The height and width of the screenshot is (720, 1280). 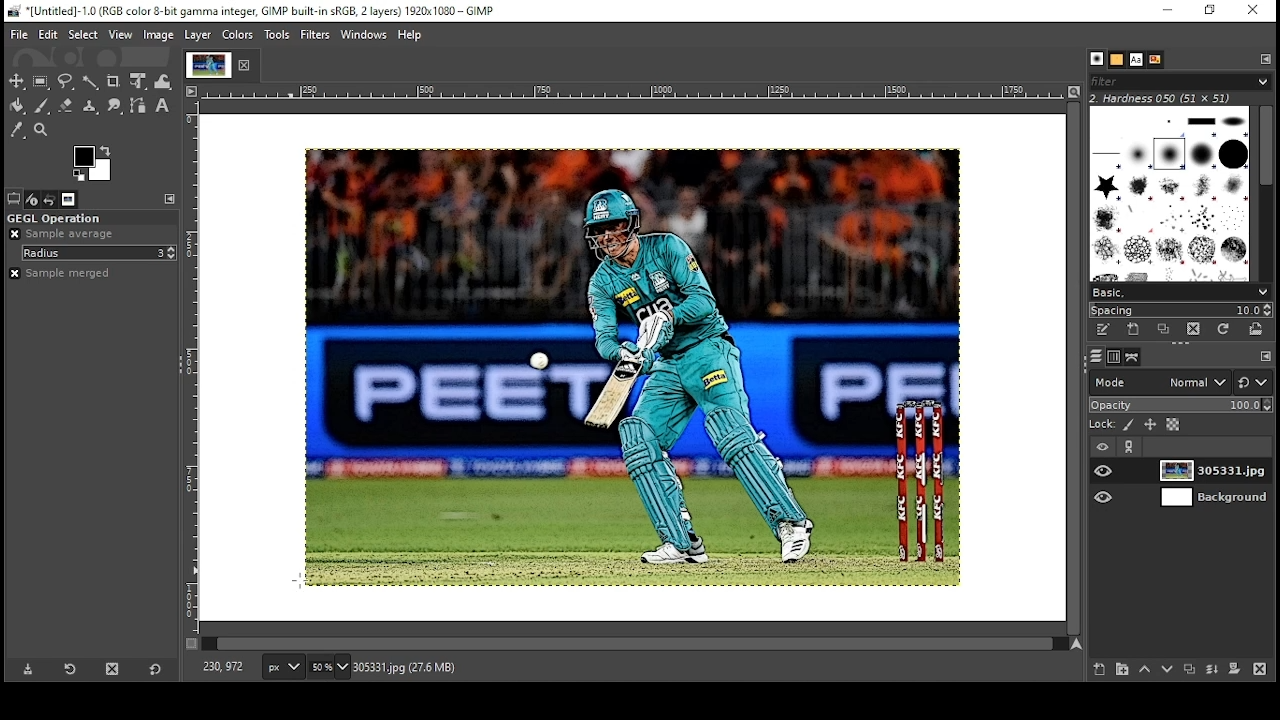 I want to click on paths tool, so click(x=139, y=105).